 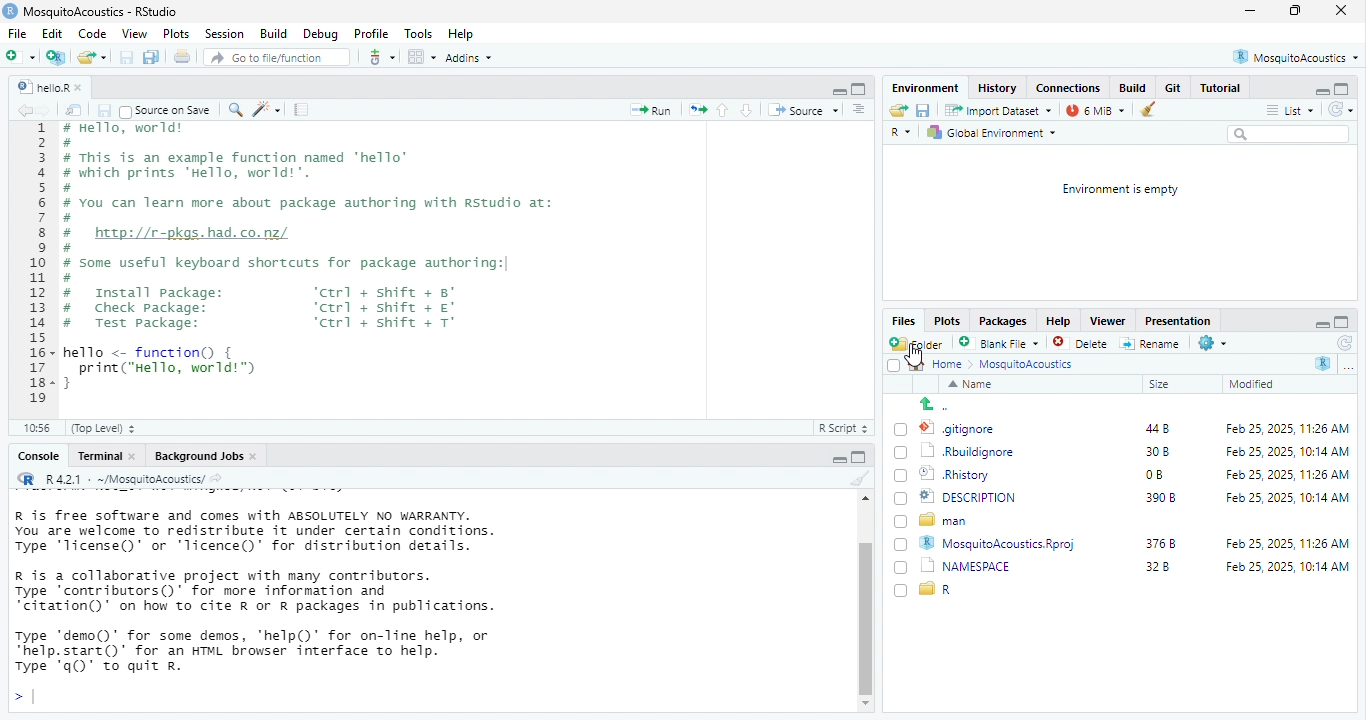 What do you see at coordinates (1162, 542) in the screenshot?
I see `376b` at bounding box center [1162, 542].